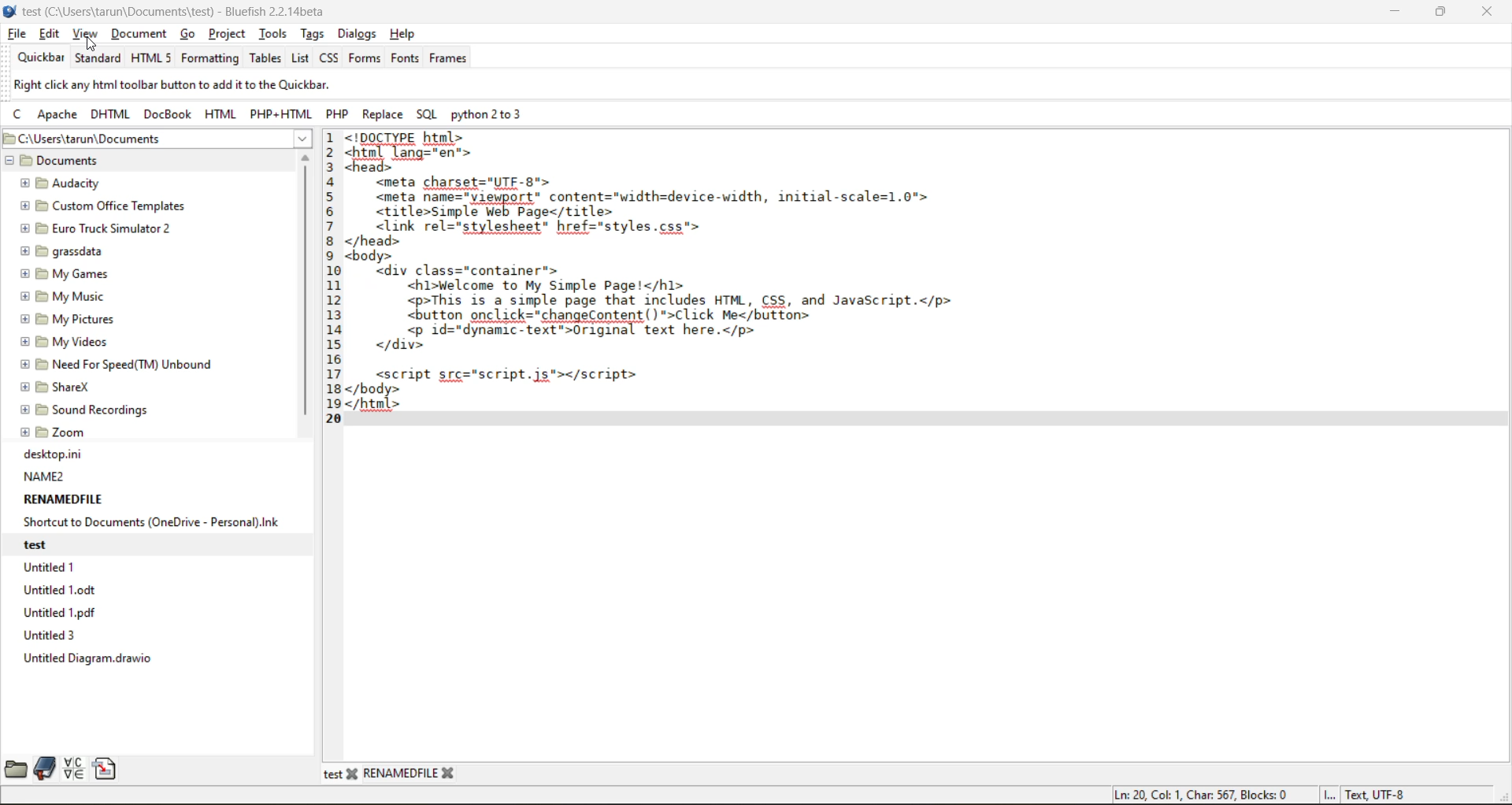  What do you see at coordinates (1394, 13) in the screenshot?
I see `minimize` at bounding box center [1394, 13].